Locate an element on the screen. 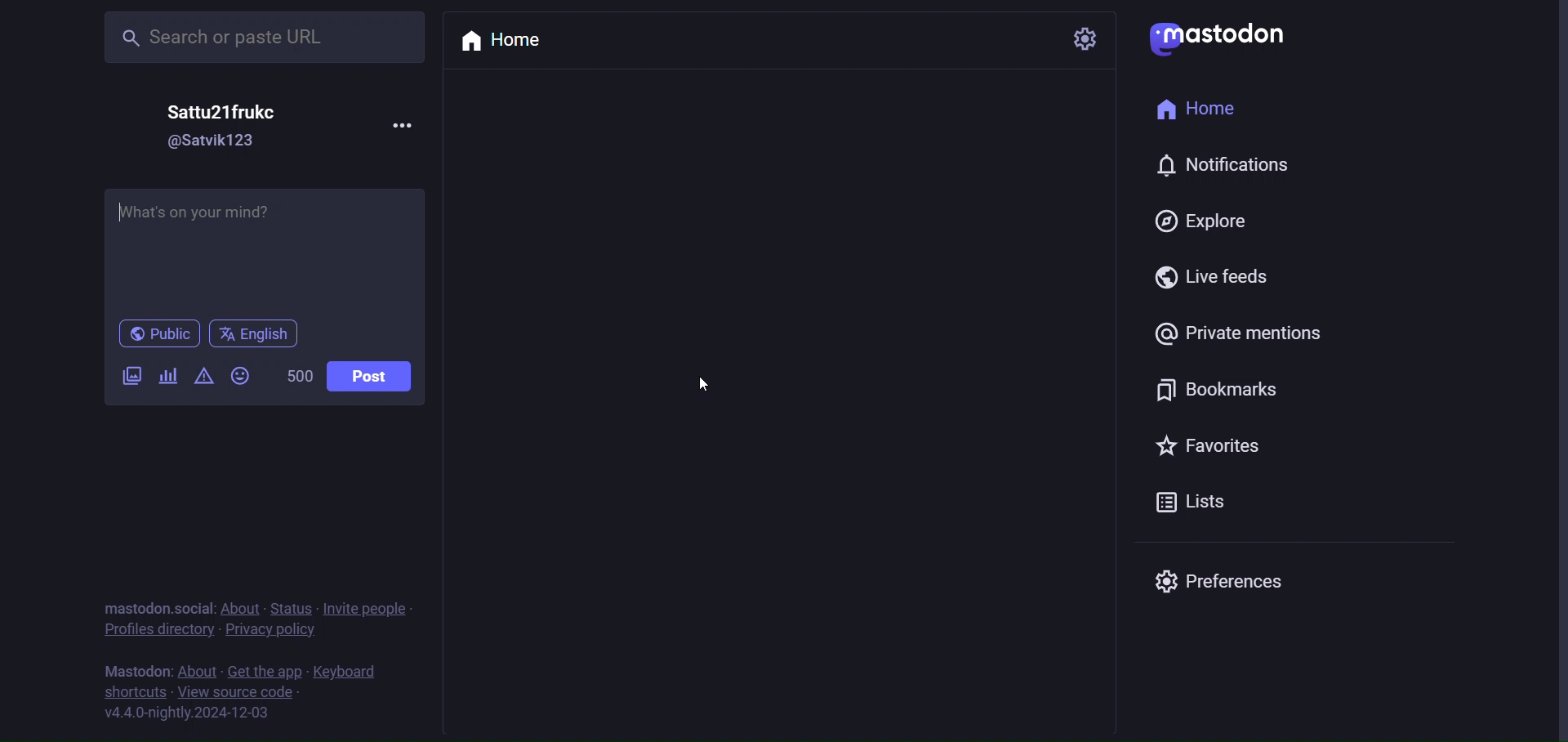 Image resolution: width=1568 pixels, height=742 pixels. source code is located at coordinates (239, 693).